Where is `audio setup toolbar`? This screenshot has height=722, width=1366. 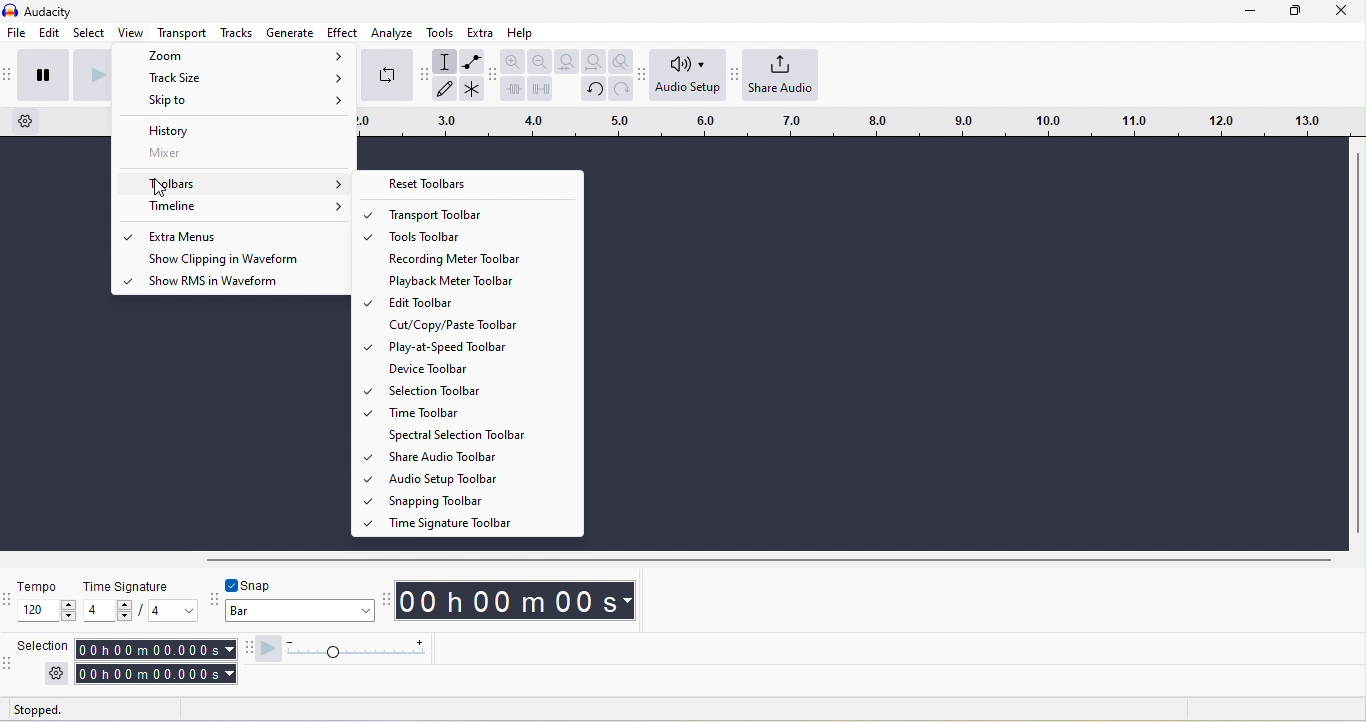 audio setup toolbar is located at coordinates (641, 76).